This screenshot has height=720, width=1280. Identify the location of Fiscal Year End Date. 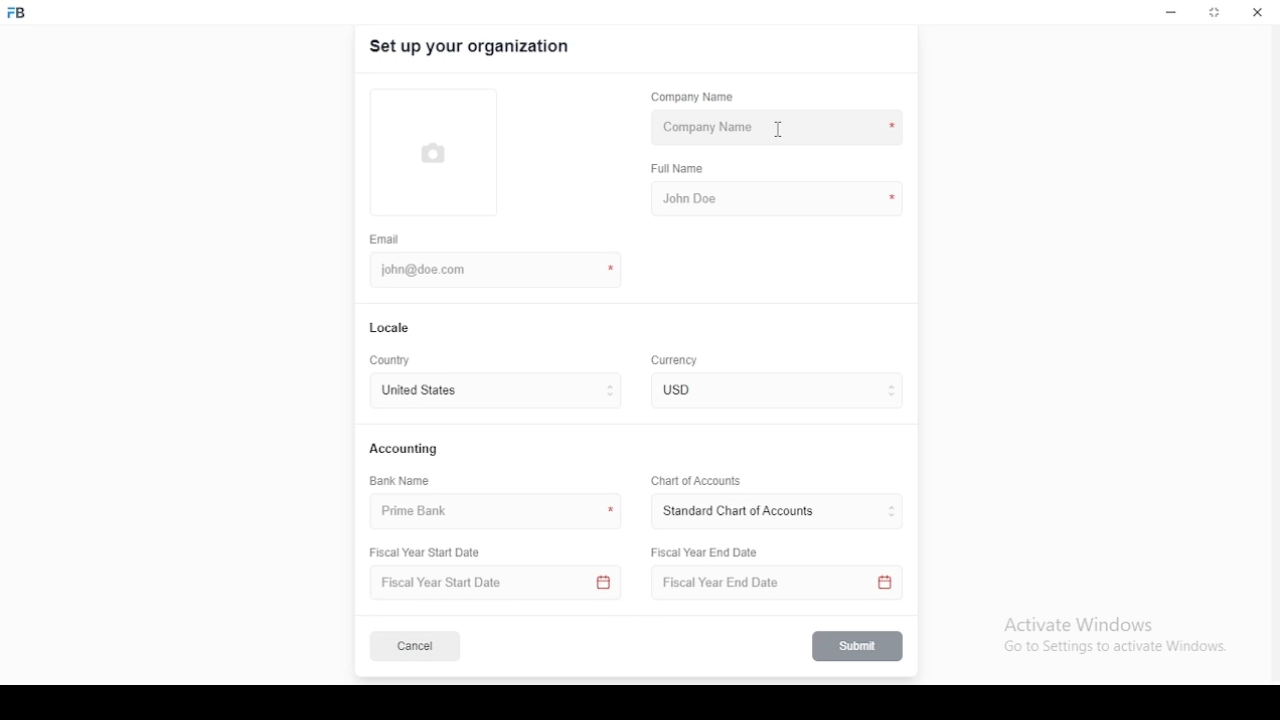
(771, 583).